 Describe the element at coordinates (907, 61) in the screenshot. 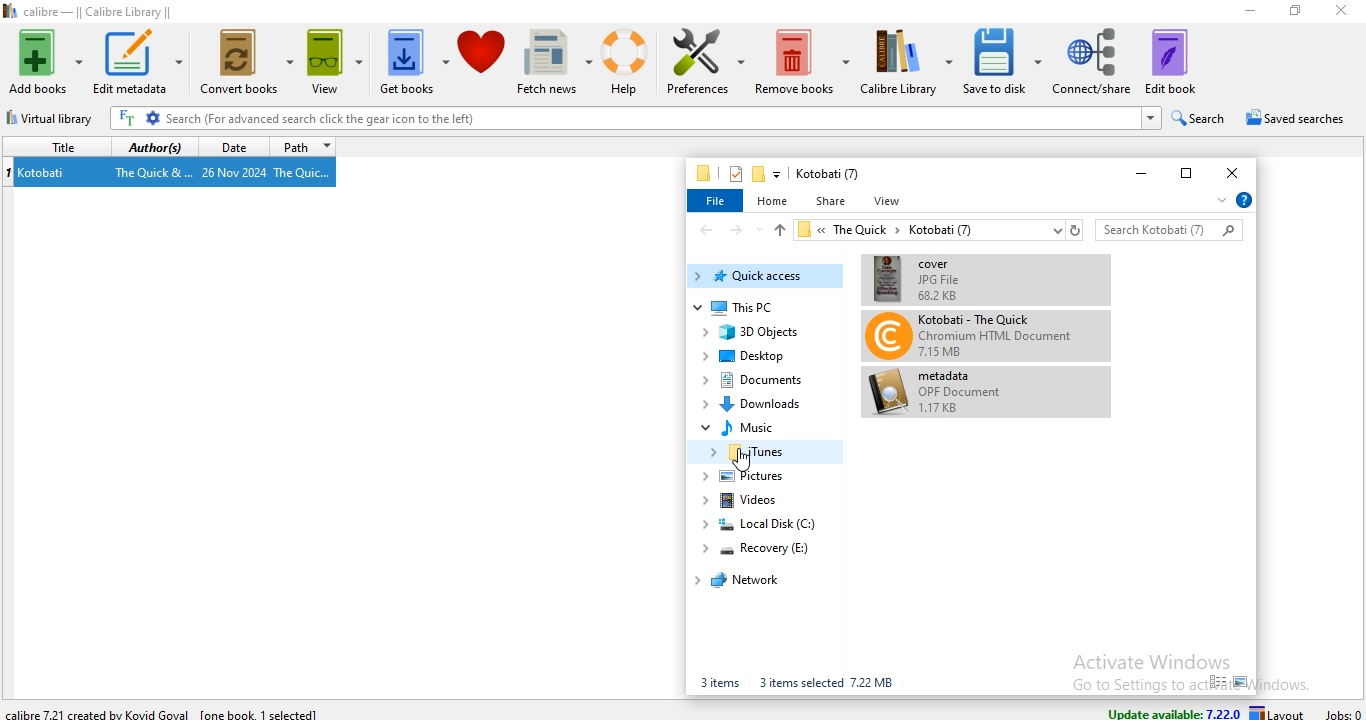

I see `calibre library` at that location.